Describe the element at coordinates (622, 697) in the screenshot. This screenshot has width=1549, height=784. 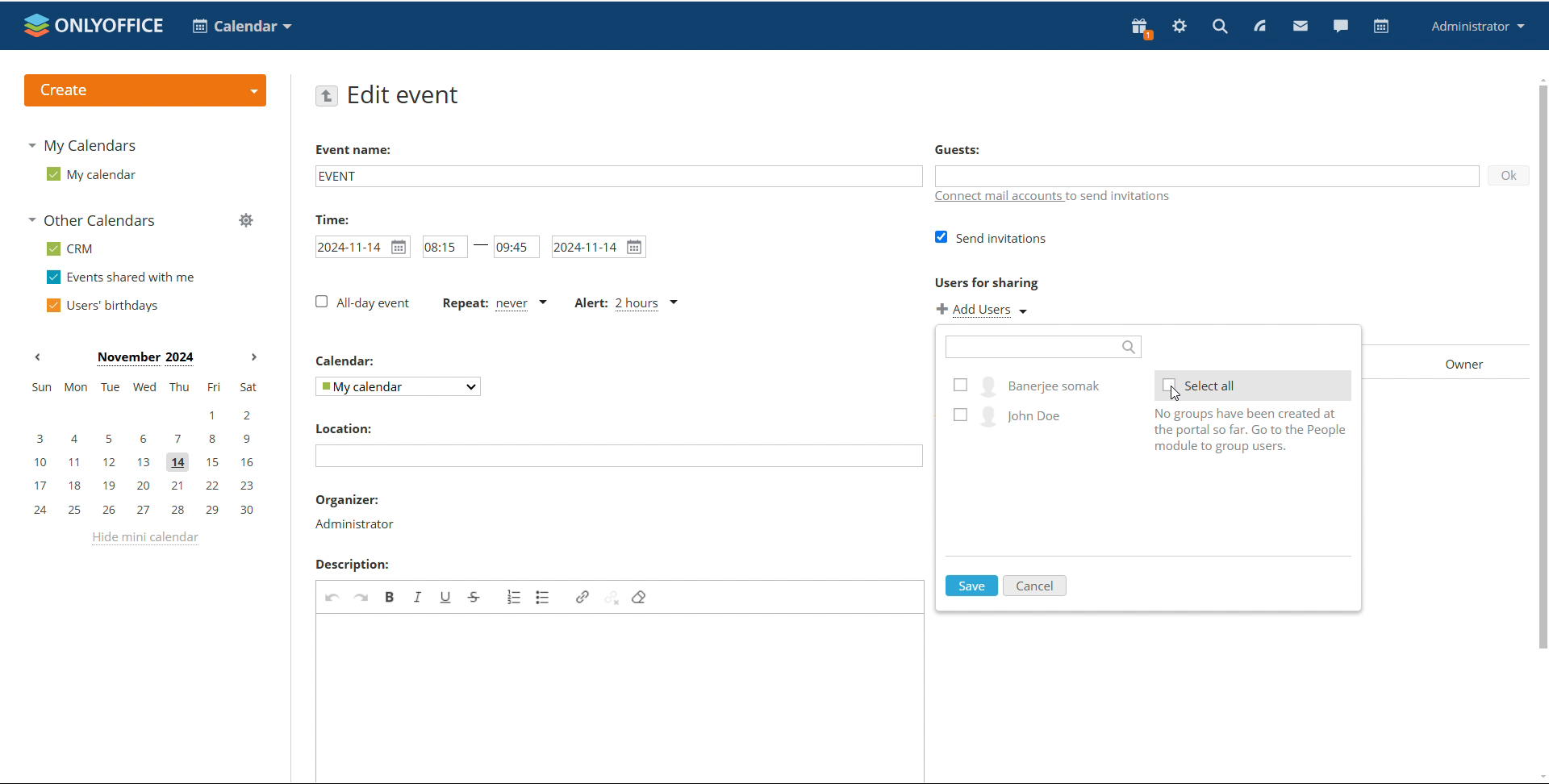
I see `add description` at that location.